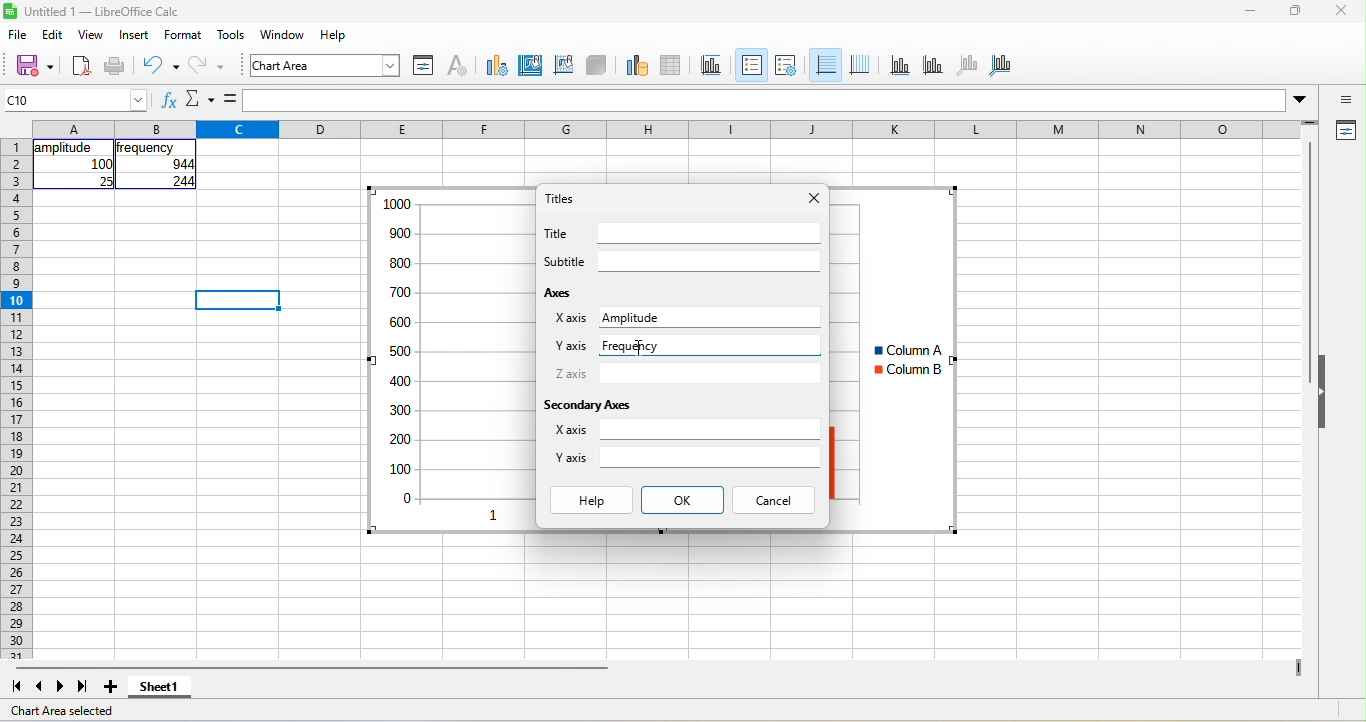  What do you see at coordinates (710, 457) in the screenshot?
I see `Input for secondary y axis` at bounding box center [710, 457].